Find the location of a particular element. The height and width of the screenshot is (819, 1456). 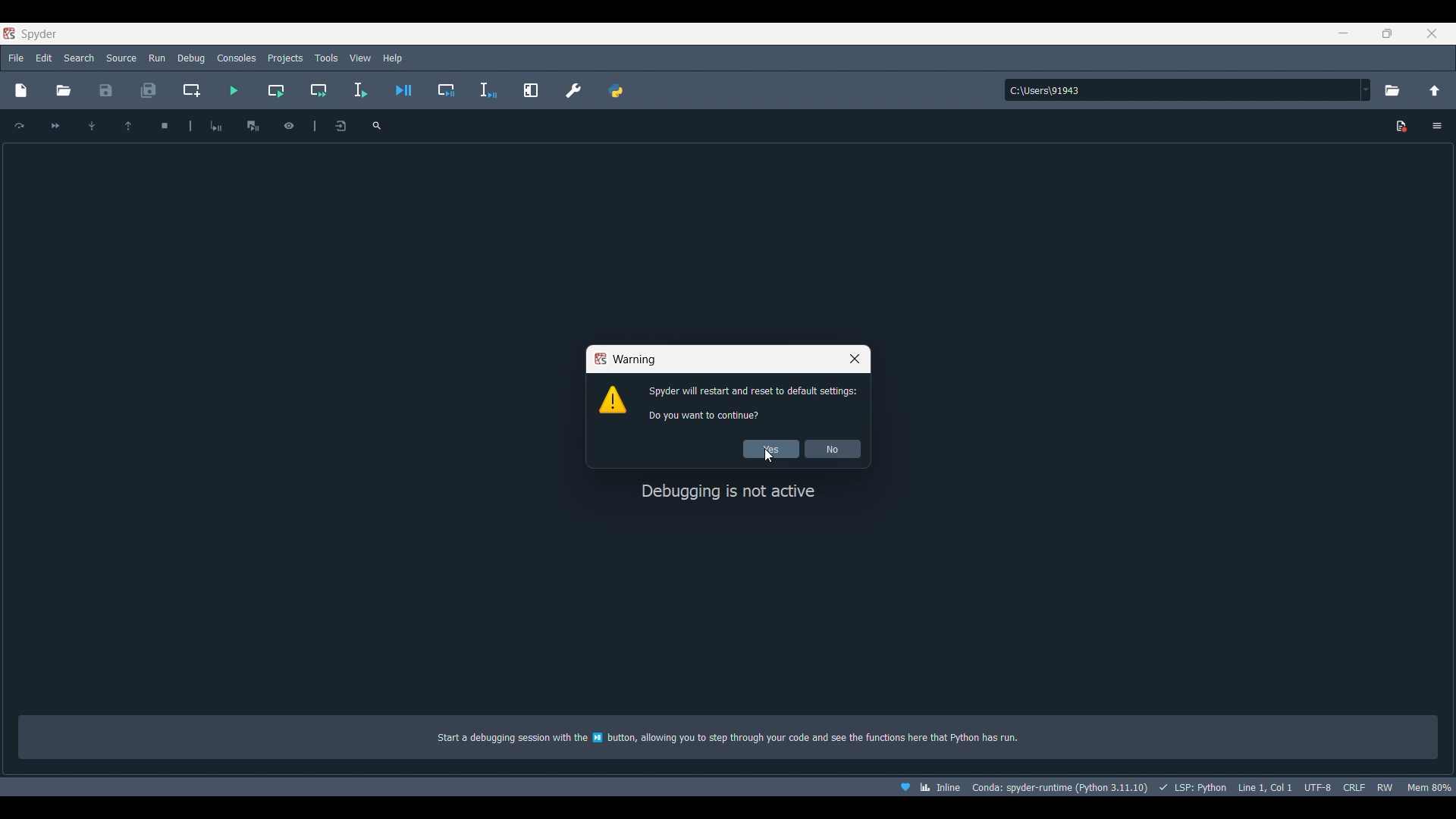

Mem 80% is located at coordinates (1428, 787).